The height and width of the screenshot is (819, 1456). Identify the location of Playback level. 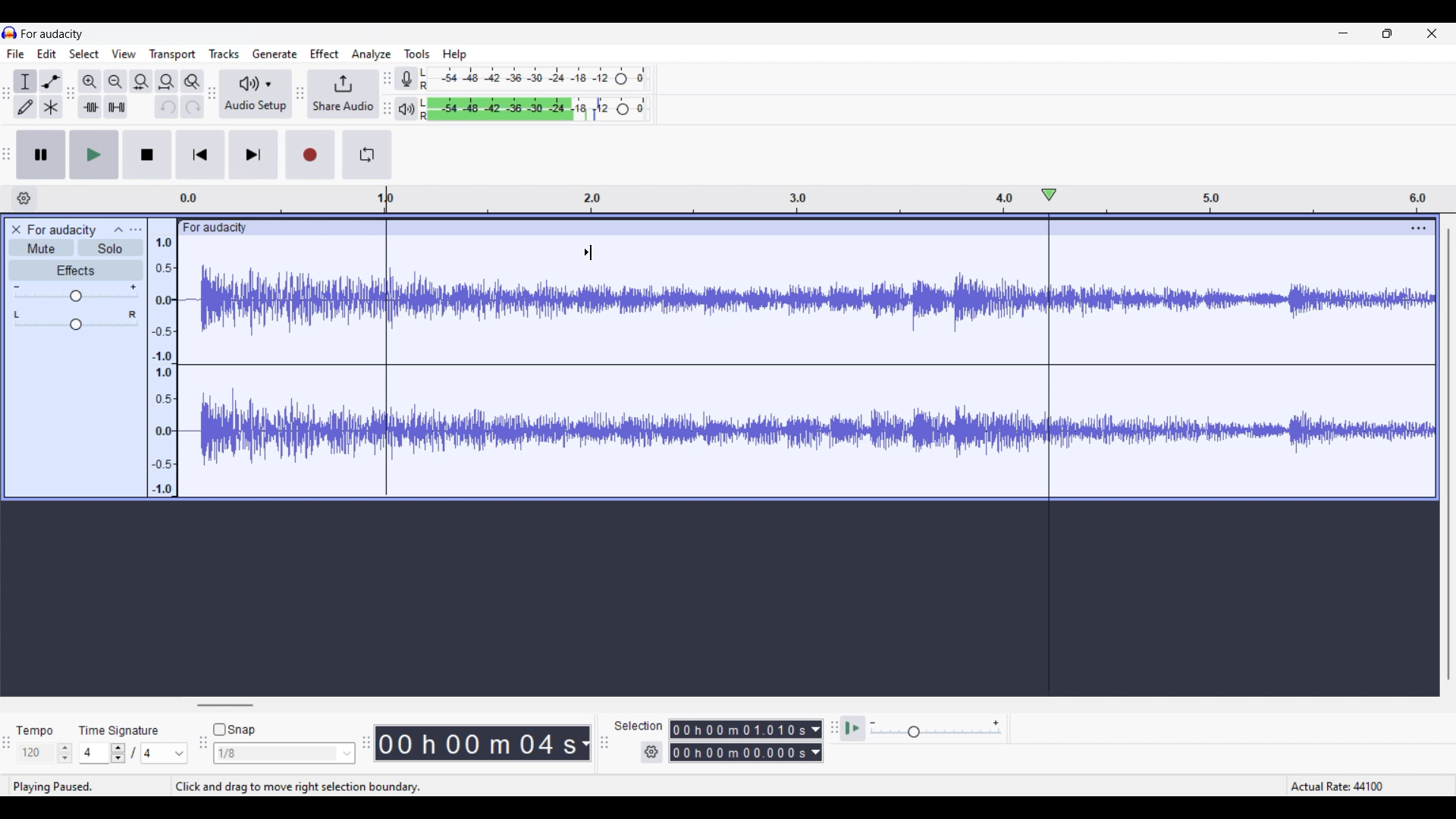
(535, 108).